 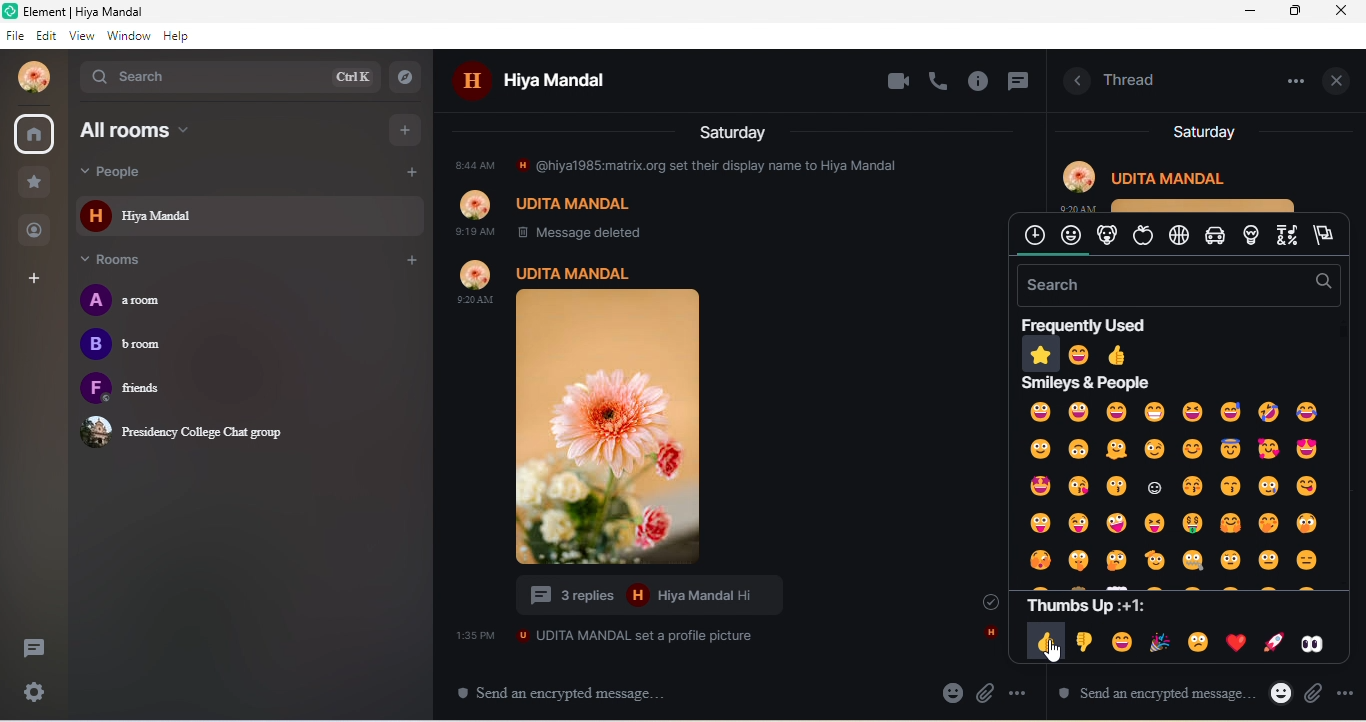 What do you see at coordinates (28, 77) in the screenshot?
I see `profile photo` at bounding box center [28, 77].